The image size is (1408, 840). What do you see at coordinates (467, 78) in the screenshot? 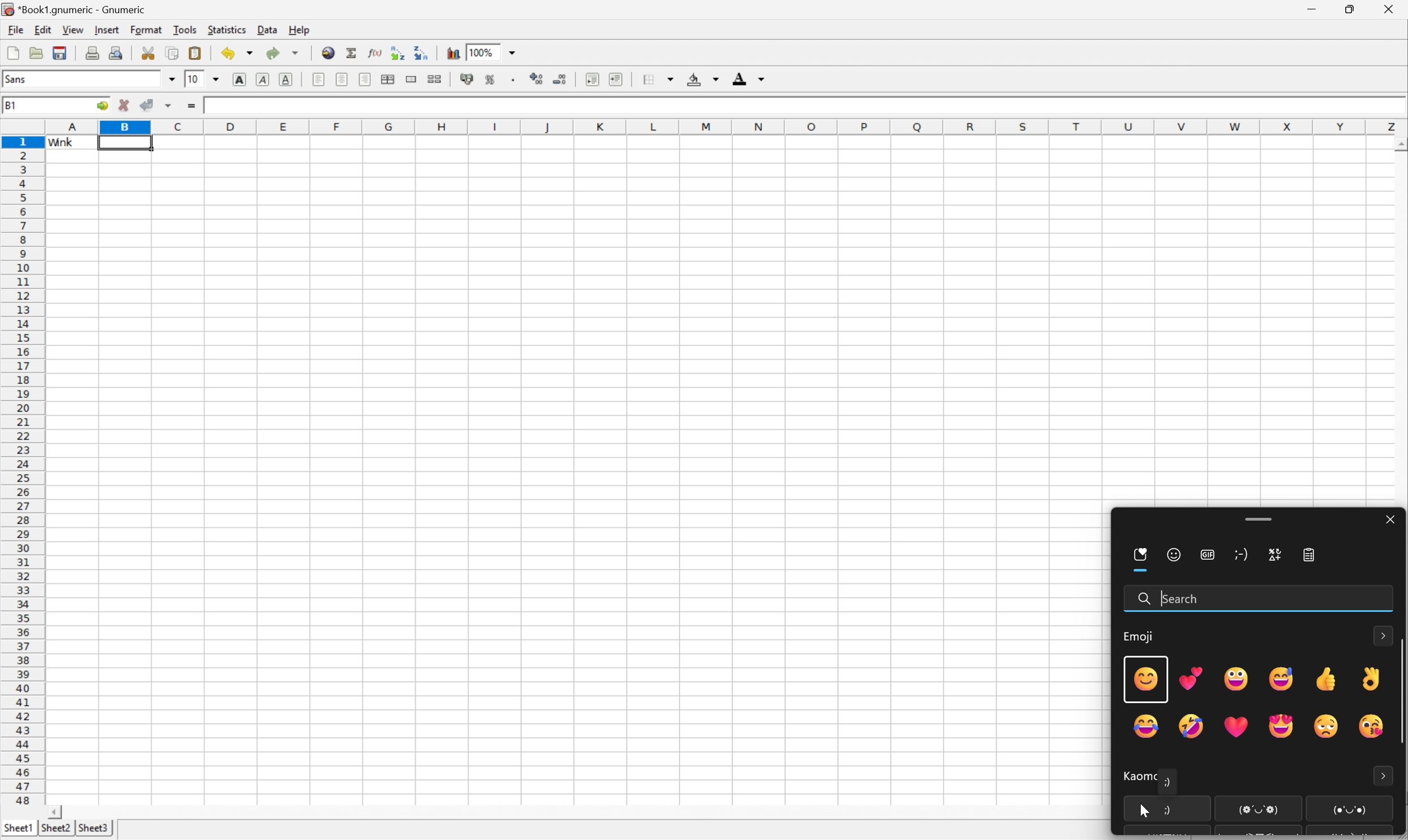
I see `format selection as accounting` at bounding box center [467, 78].